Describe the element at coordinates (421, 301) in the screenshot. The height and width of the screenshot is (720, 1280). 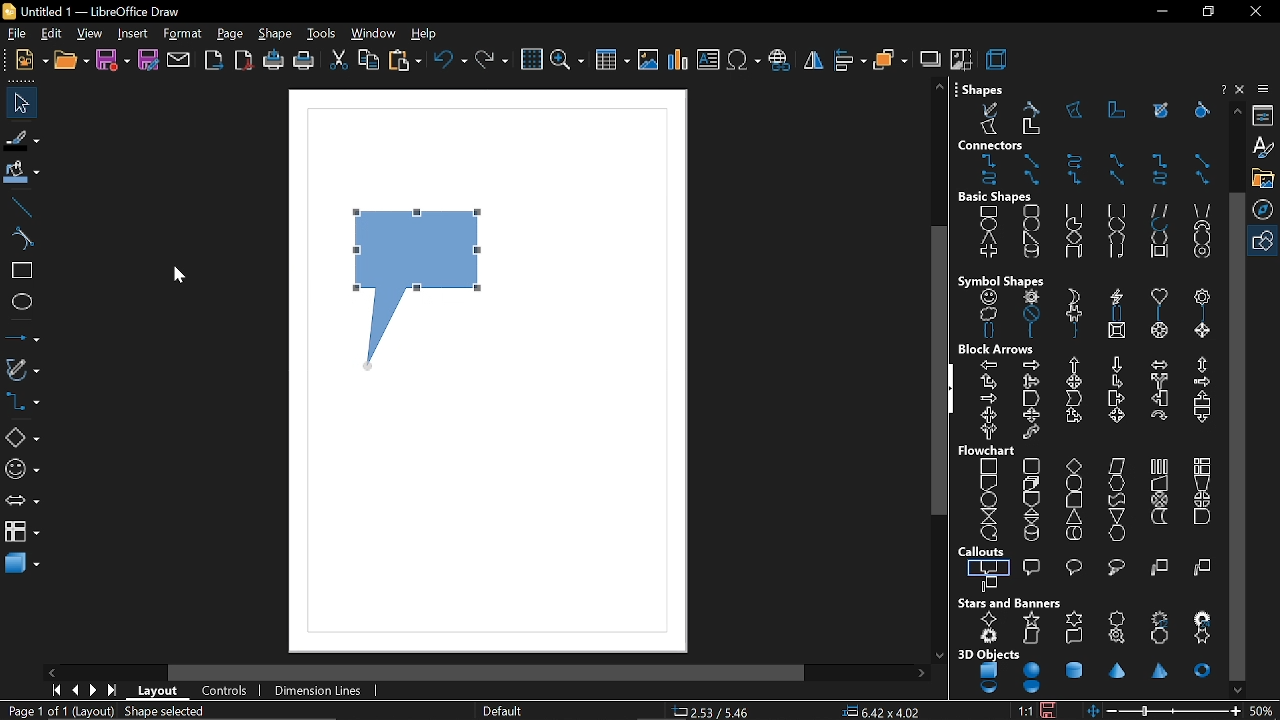
I see `Pointed callout shape added` at that location.